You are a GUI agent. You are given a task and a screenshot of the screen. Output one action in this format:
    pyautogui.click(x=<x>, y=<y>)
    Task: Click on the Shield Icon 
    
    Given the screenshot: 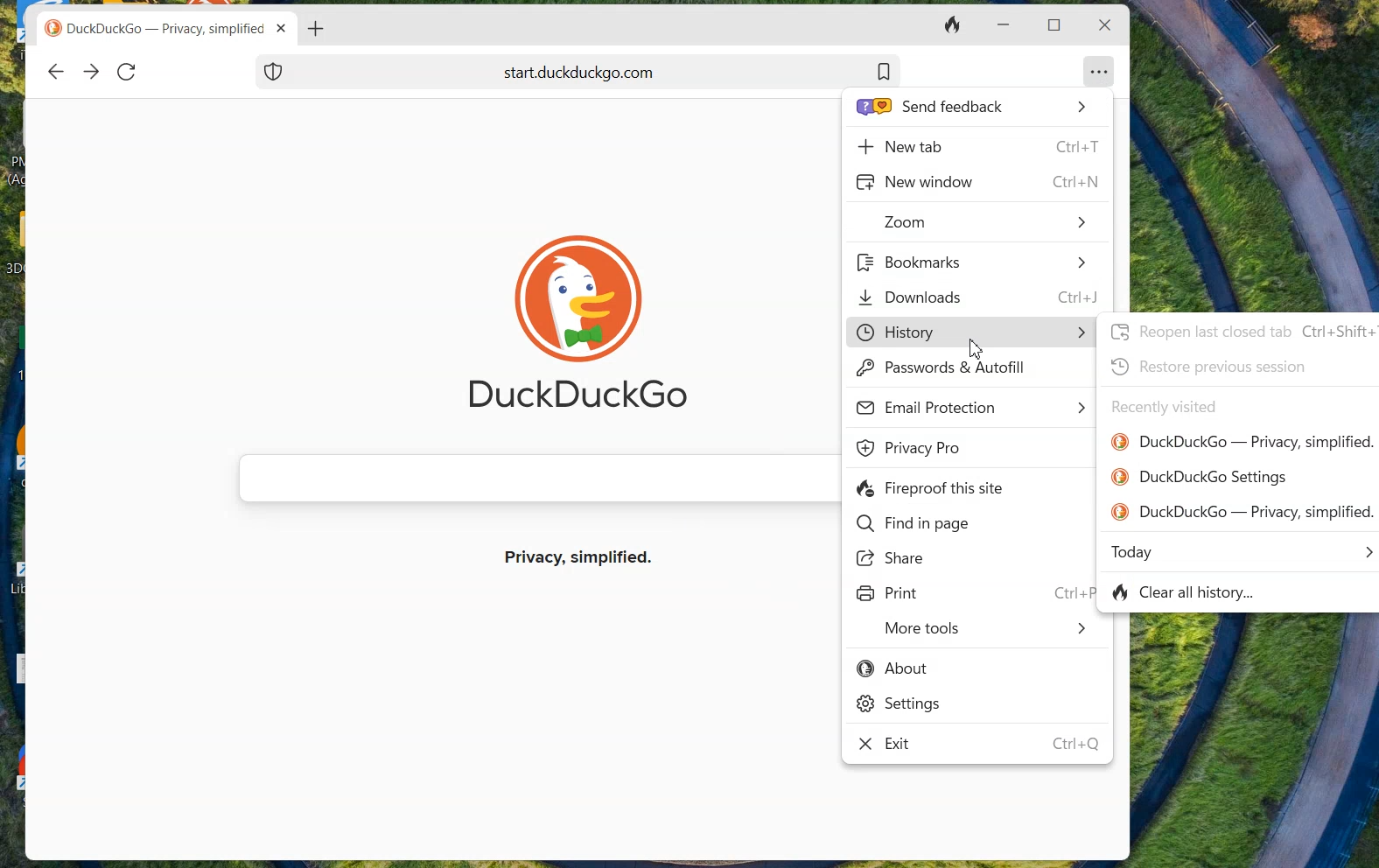 What is the action you would take?
    pyautogui.click(x=274, y=71)
    